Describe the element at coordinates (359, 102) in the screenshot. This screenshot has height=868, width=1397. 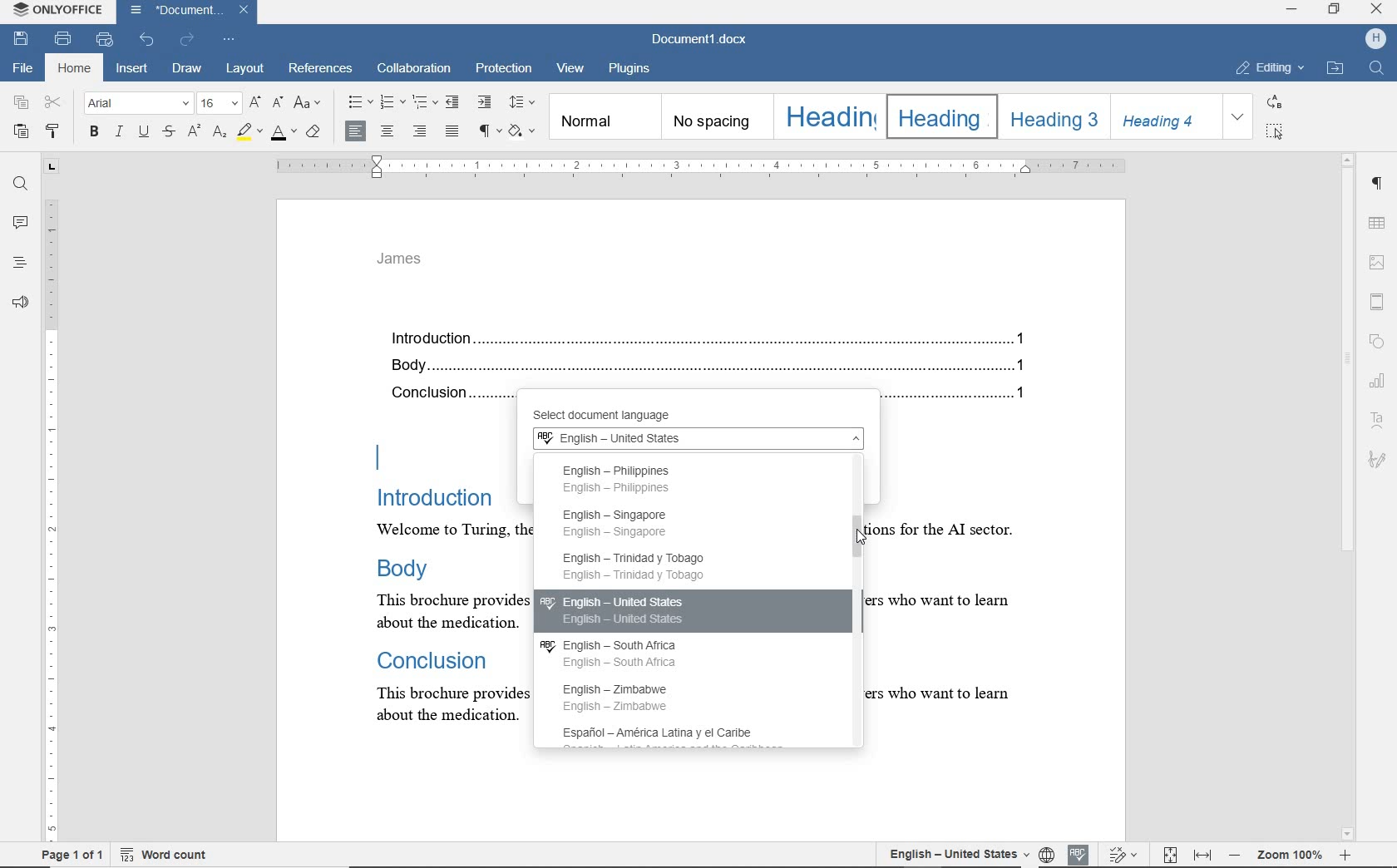
I see `bullets` at that location.